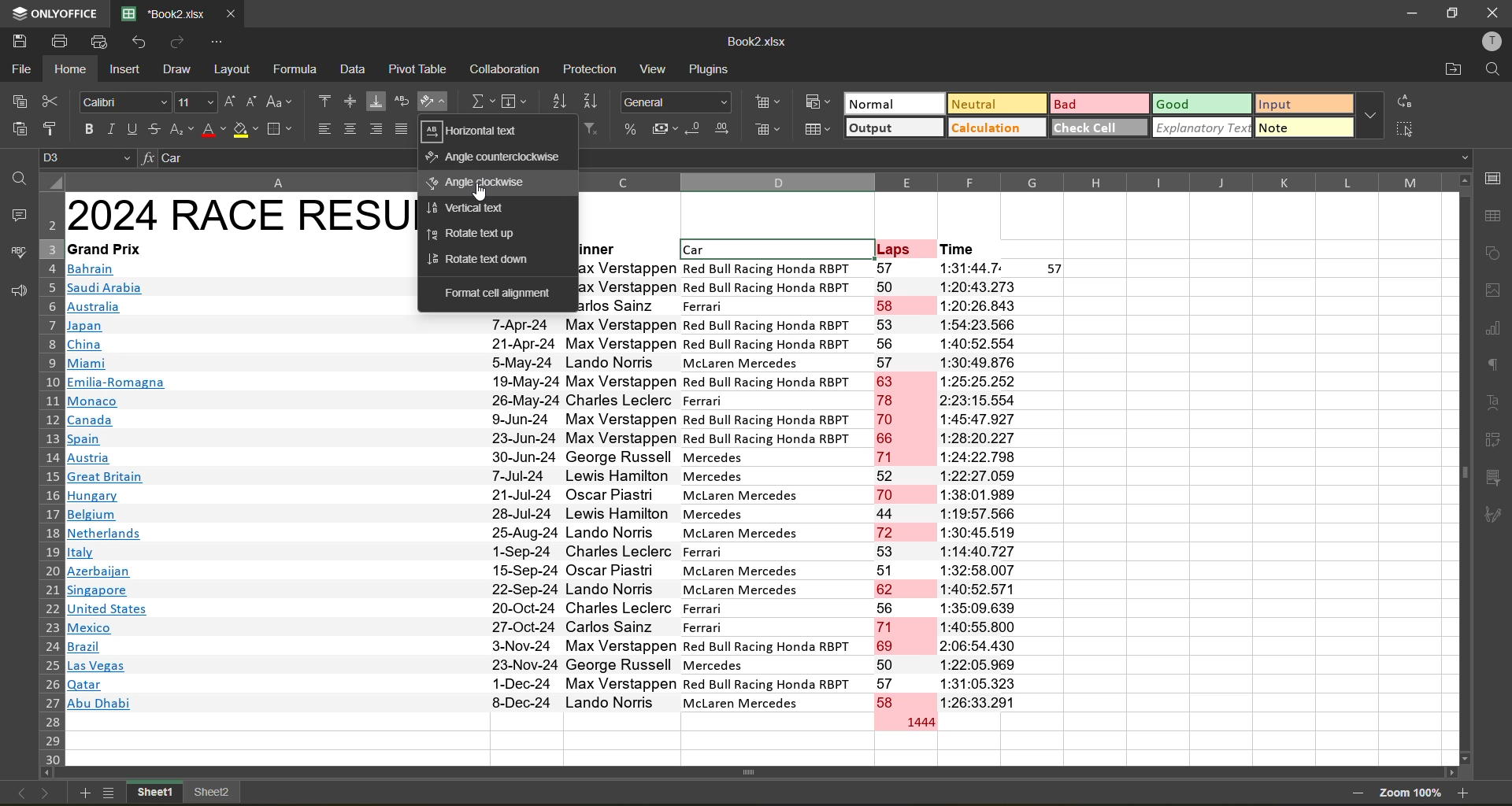  I want to click on sheet names, so click(185, 790).